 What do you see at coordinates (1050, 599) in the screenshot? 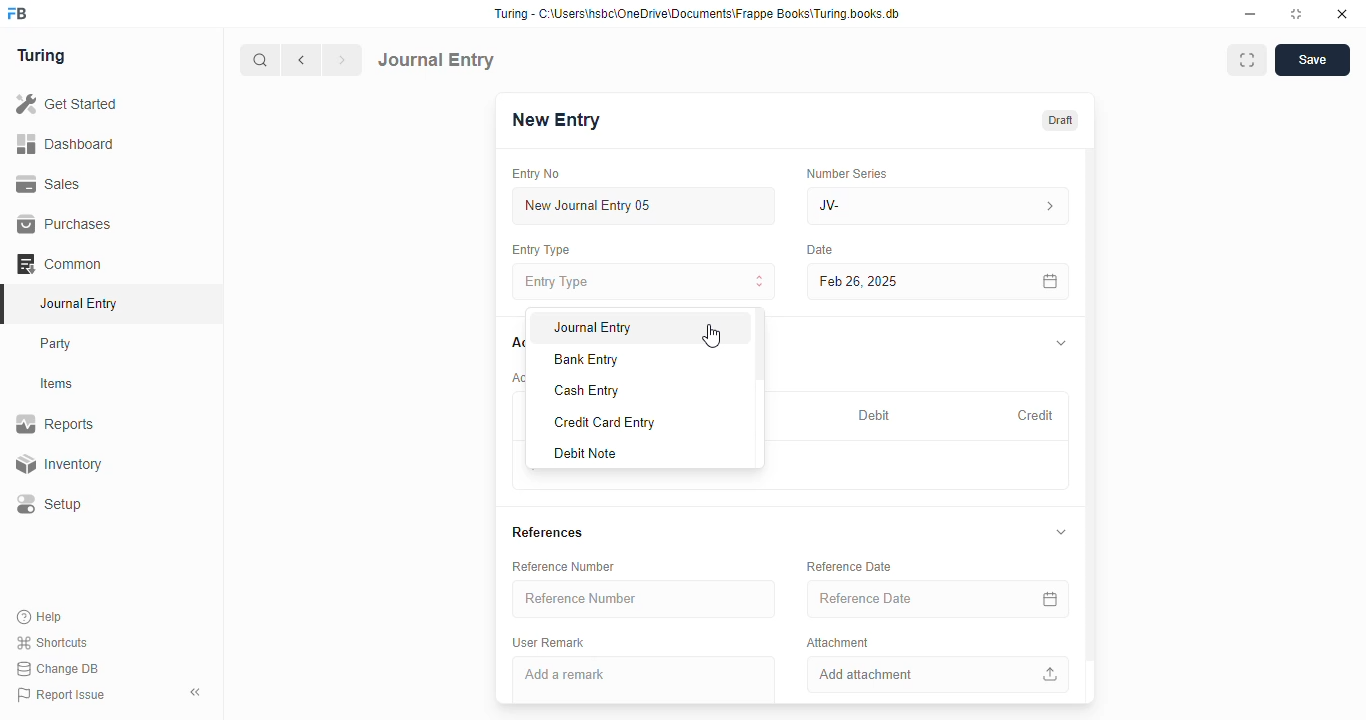
I see `calendar icon` at bounding box center [1050, 599].